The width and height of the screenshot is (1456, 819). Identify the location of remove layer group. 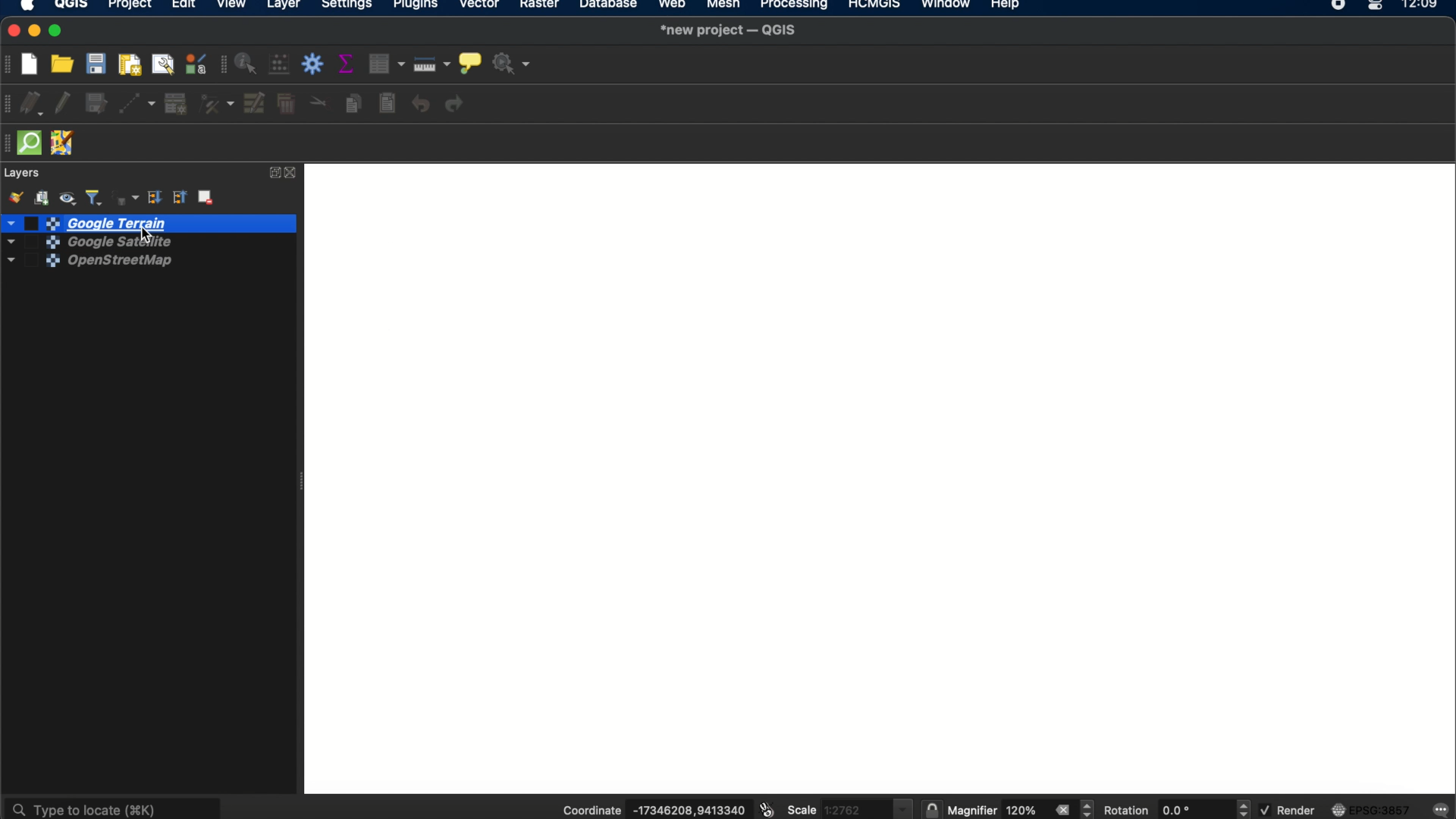
(208, 199).